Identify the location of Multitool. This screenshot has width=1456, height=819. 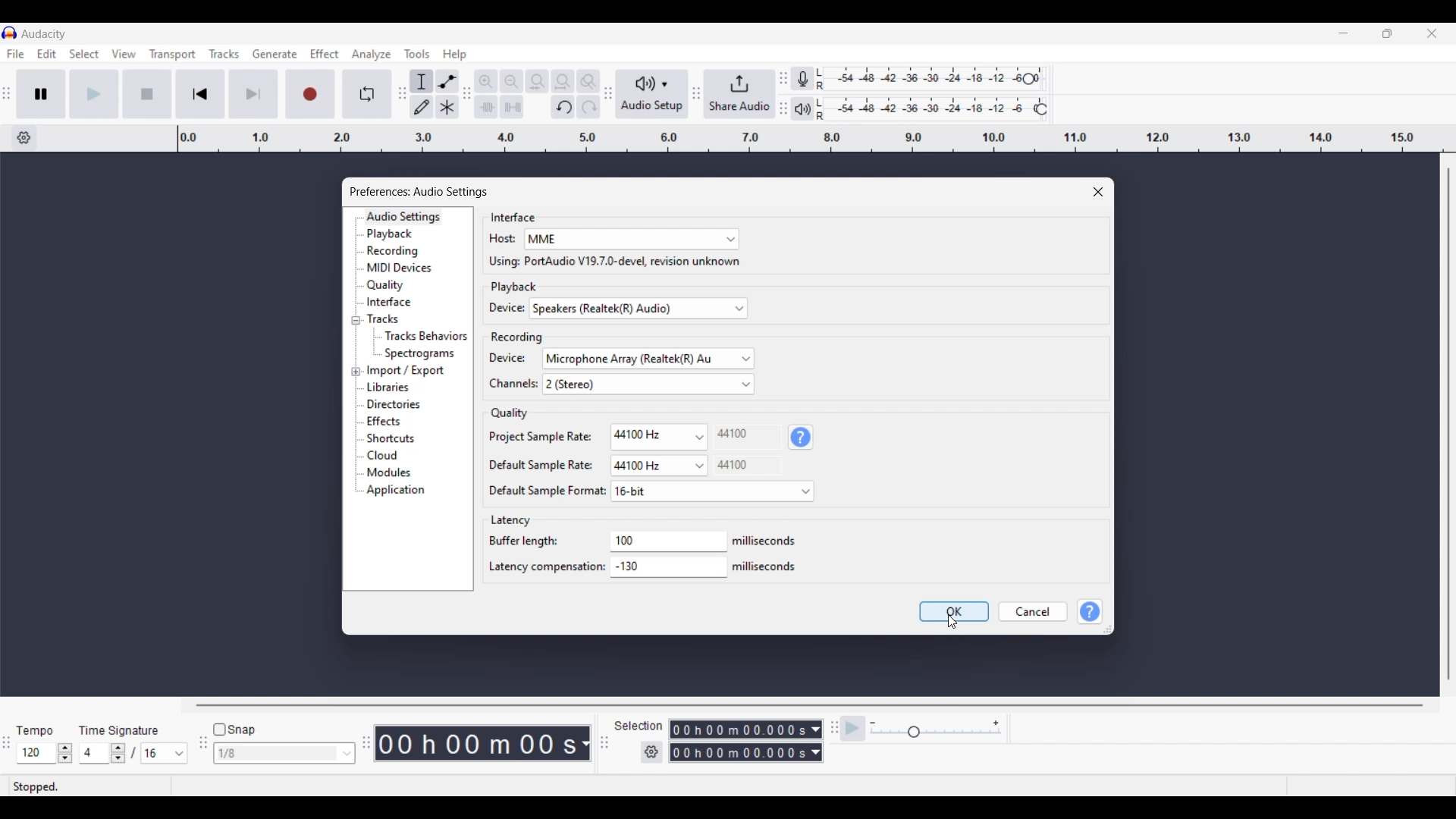
(447, 108).